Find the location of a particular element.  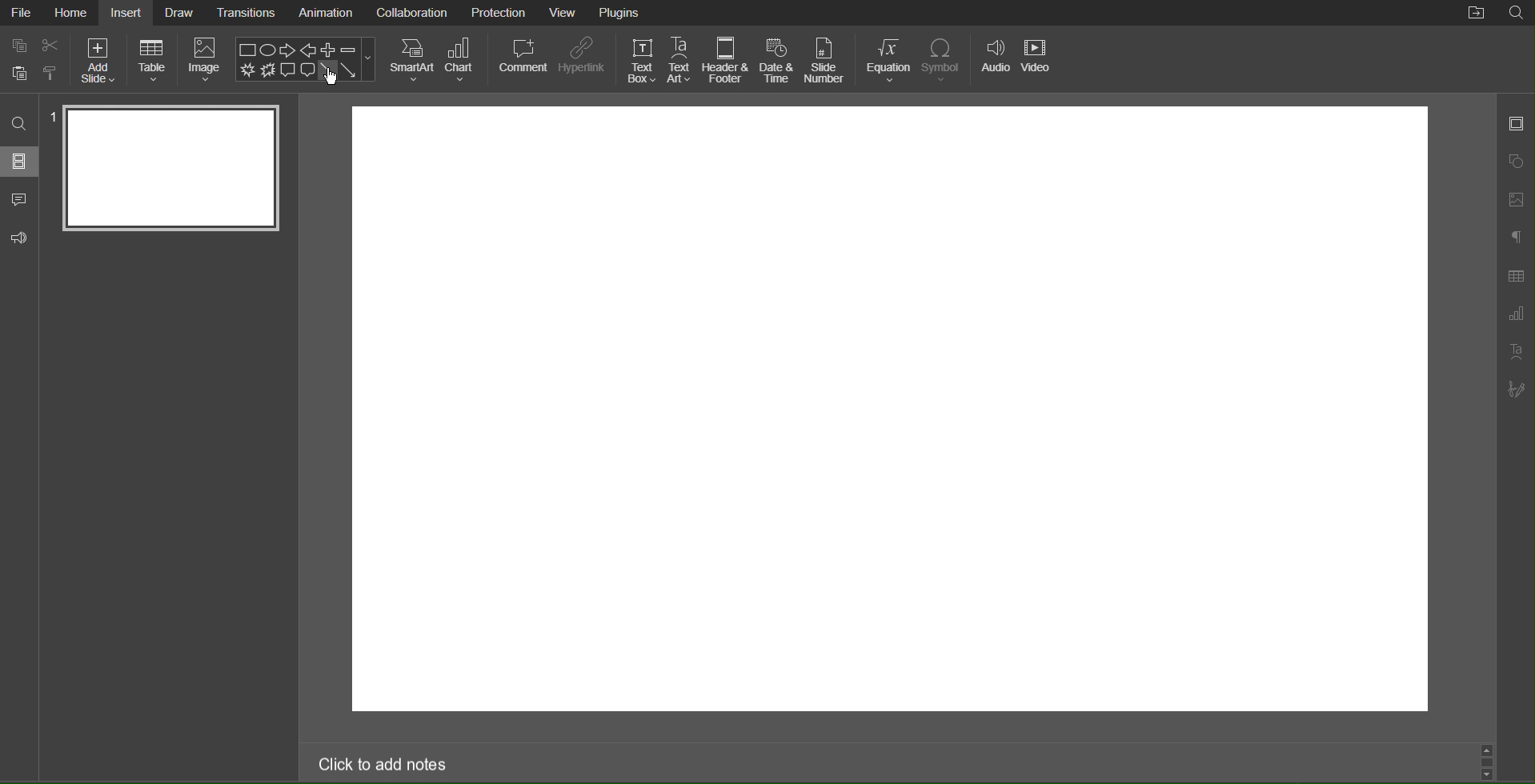

Equation is located at coordinates (889, 59).